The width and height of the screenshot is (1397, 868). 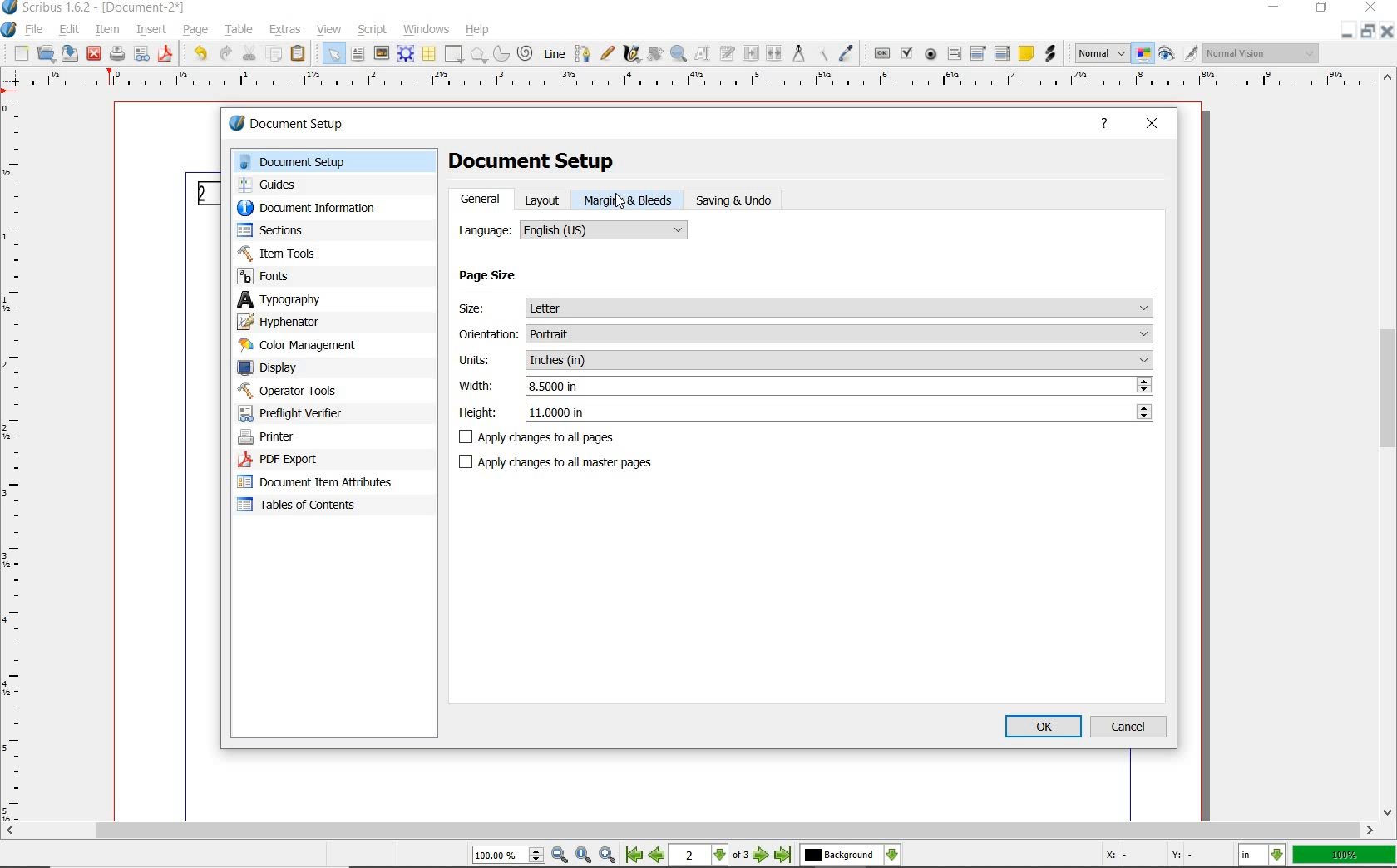 What do you see at coordinates (94, 53) in the screenshot?
I see `close` at bounding box center [94, 53].